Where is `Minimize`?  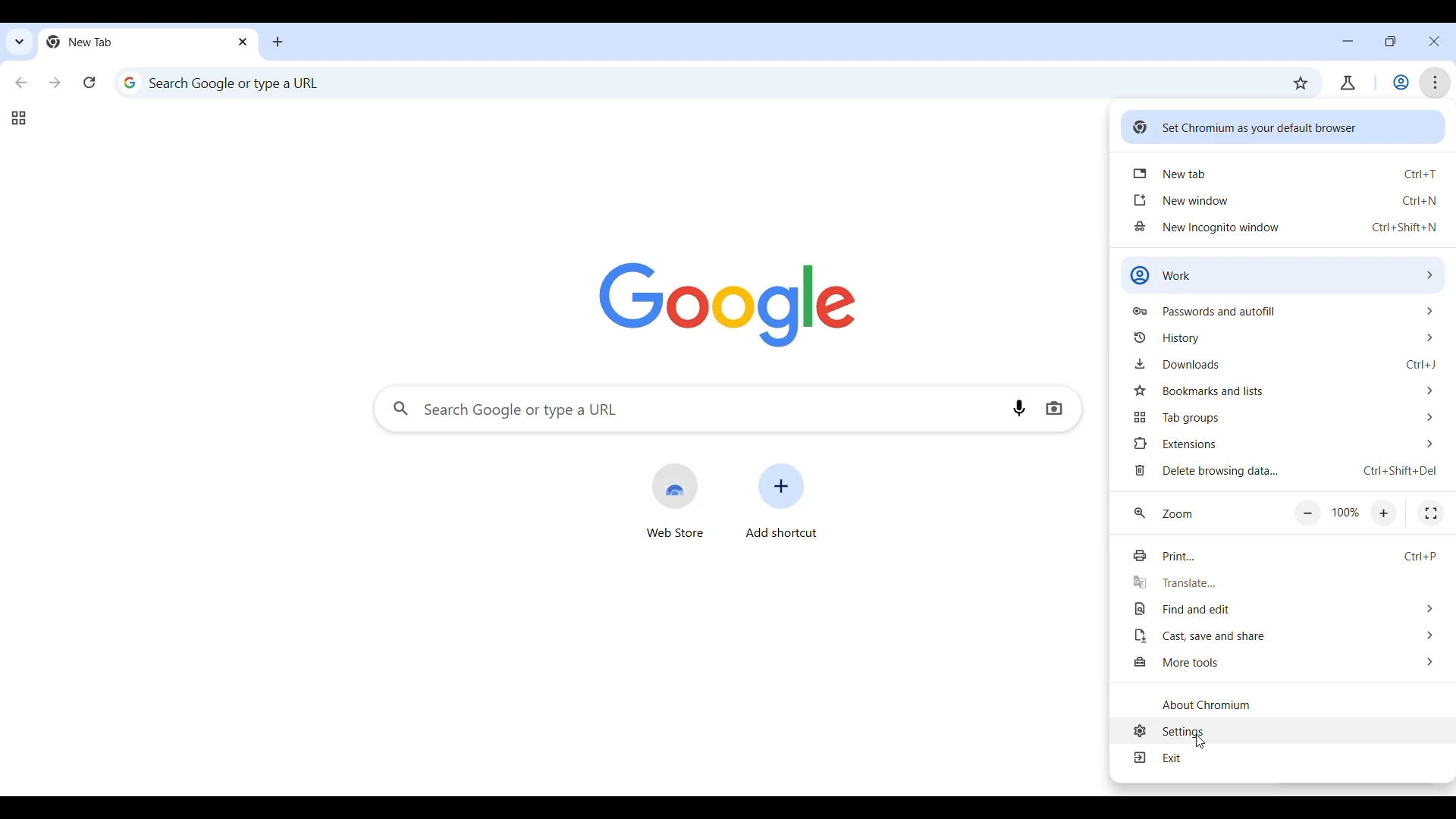
Minimize is located at coordinates (1348, 41).